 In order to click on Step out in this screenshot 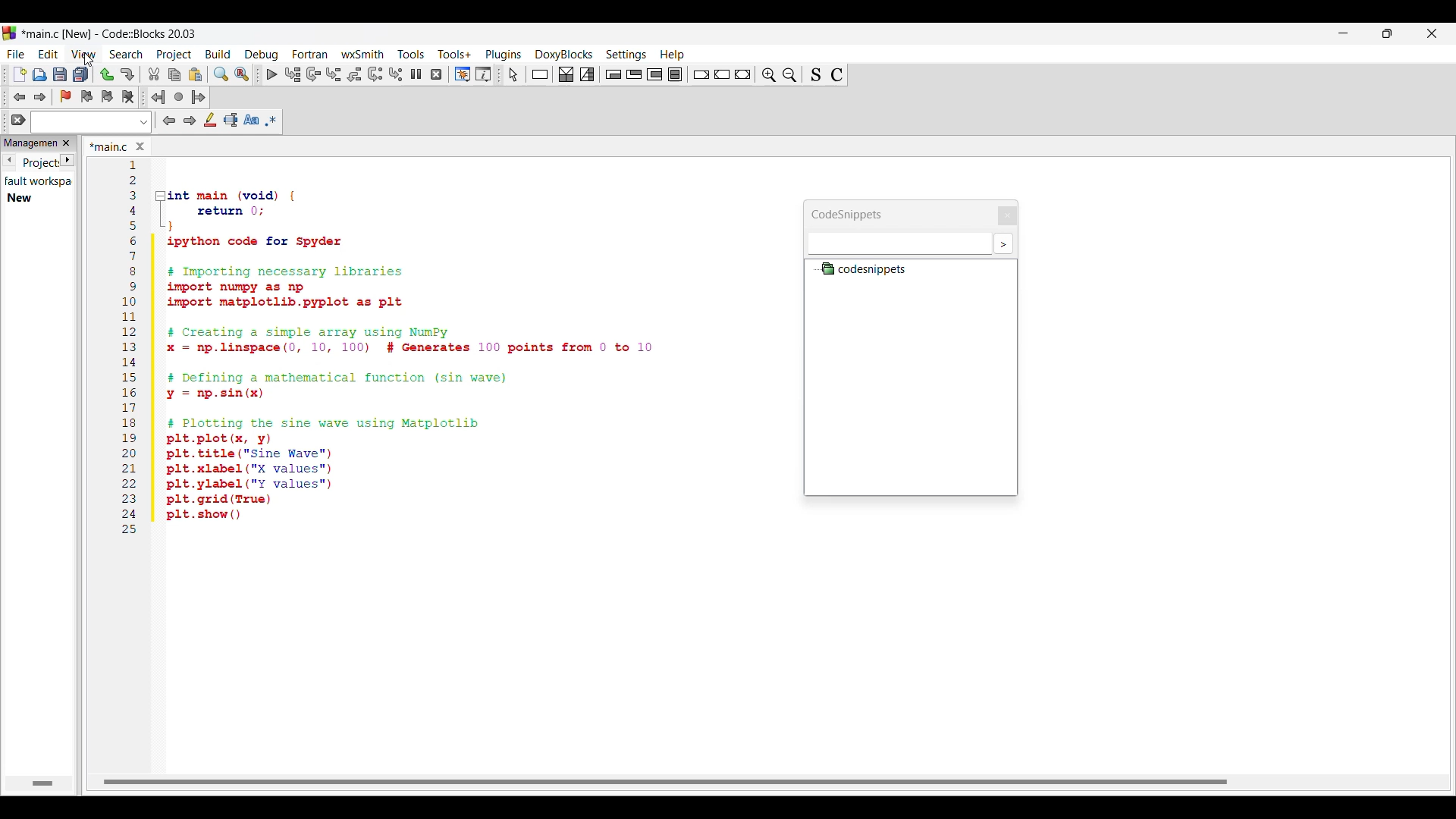, I will do `click(353, 74)`.